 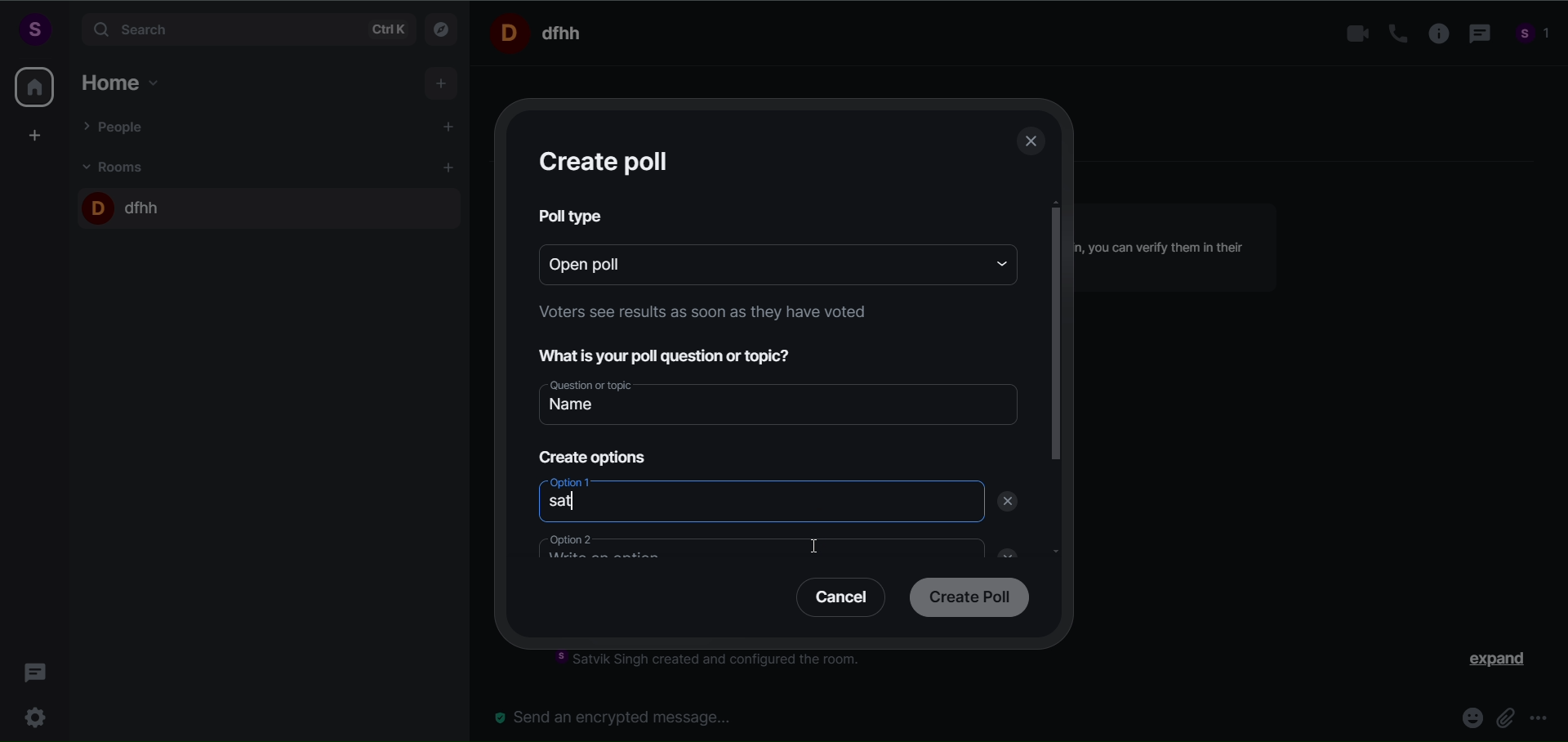 What do you see at coordinates (443, 28) in the screenshot?
I see `explore room` at bounding box center [443, 28].